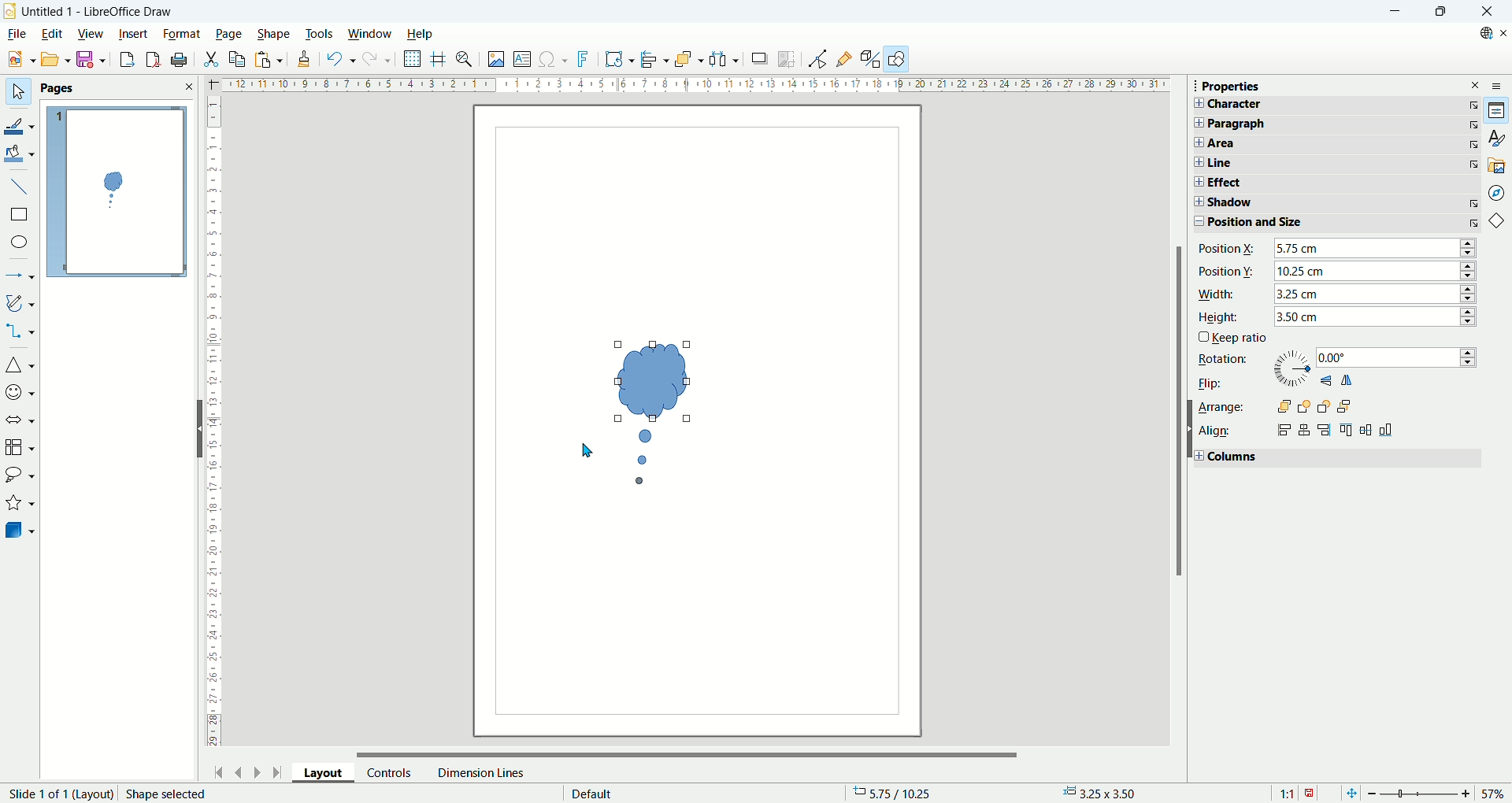  Describe the element at coordinates (1324, 407) in the screenshot. I see `back one` at that location.